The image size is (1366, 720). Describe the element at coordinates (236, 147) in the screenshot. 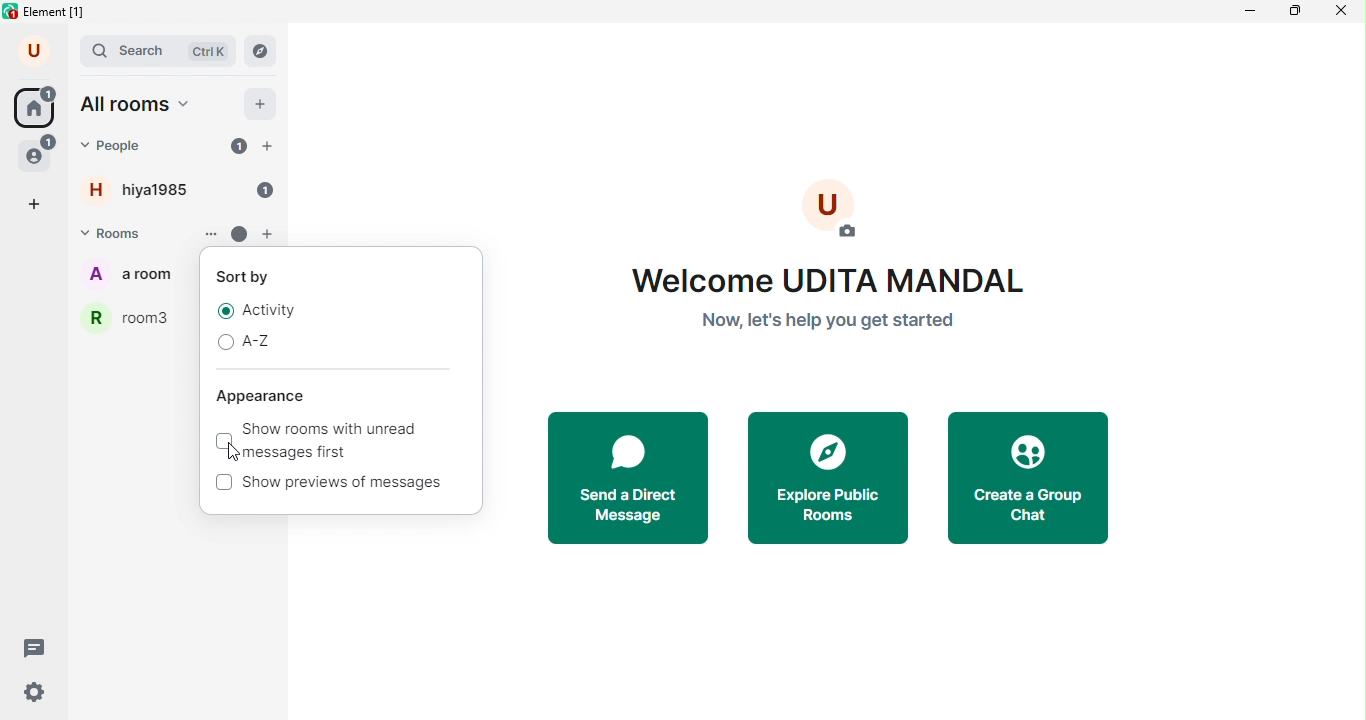

I see `unread 1 message` at that location.